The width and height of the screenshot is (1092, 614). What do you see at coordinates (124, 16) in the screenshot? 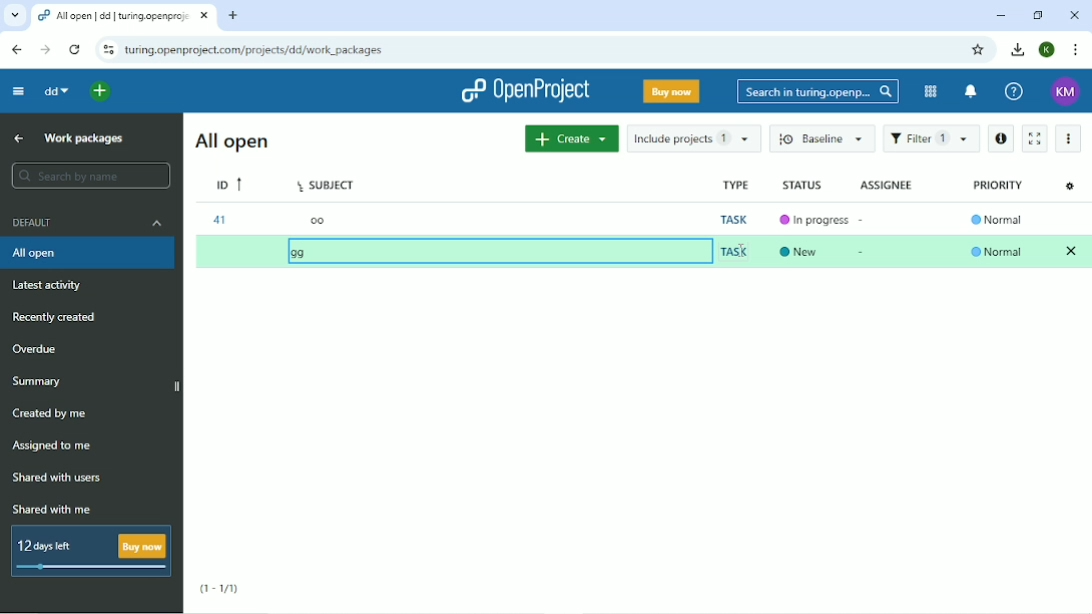
I see `Current tab` at bounding box center [124, 16].